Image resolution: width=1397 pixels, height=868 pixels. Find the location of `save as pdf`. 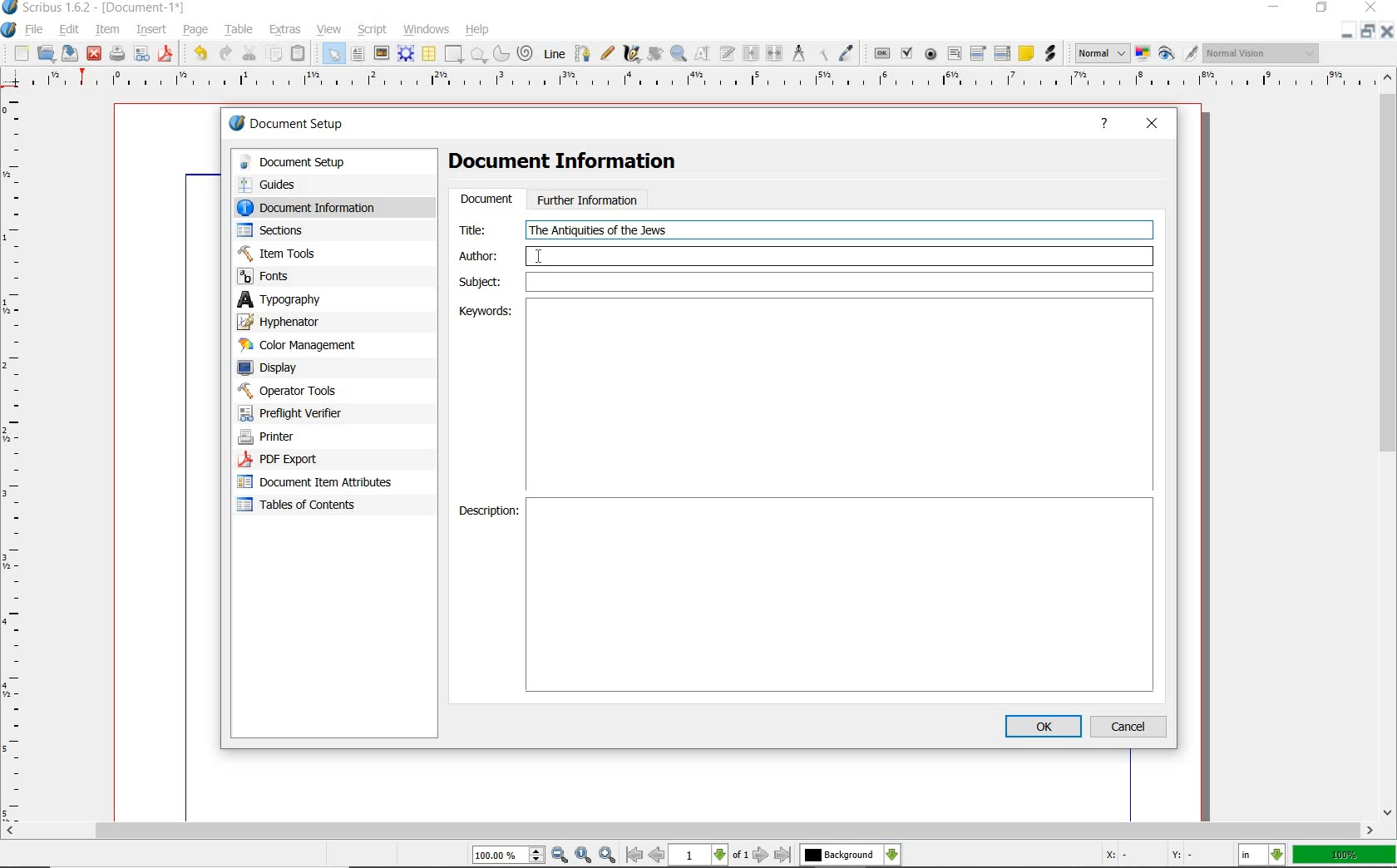

save as pdf is located at coordinates (165, 56).